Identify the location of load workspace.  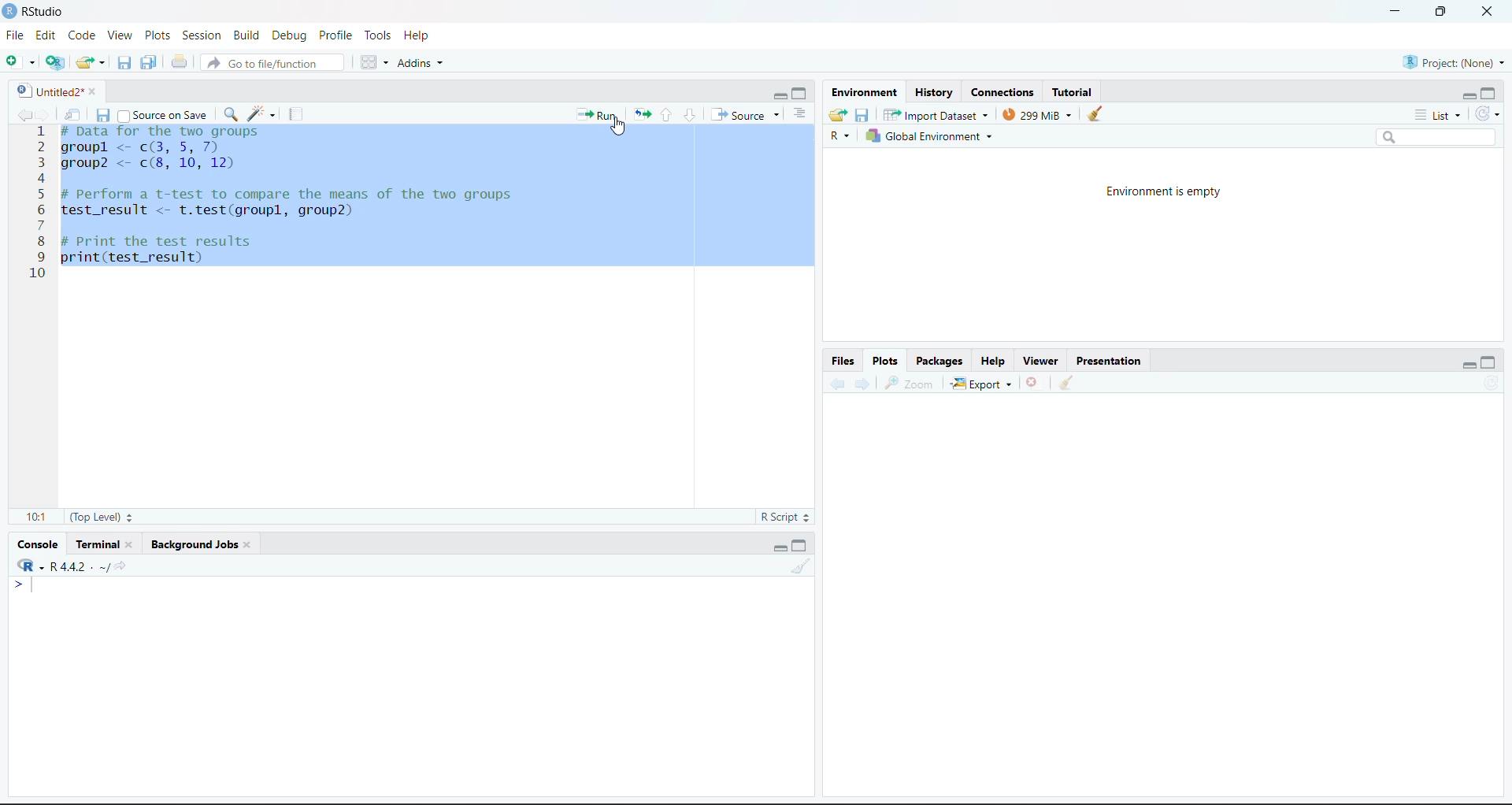
(839, 115).